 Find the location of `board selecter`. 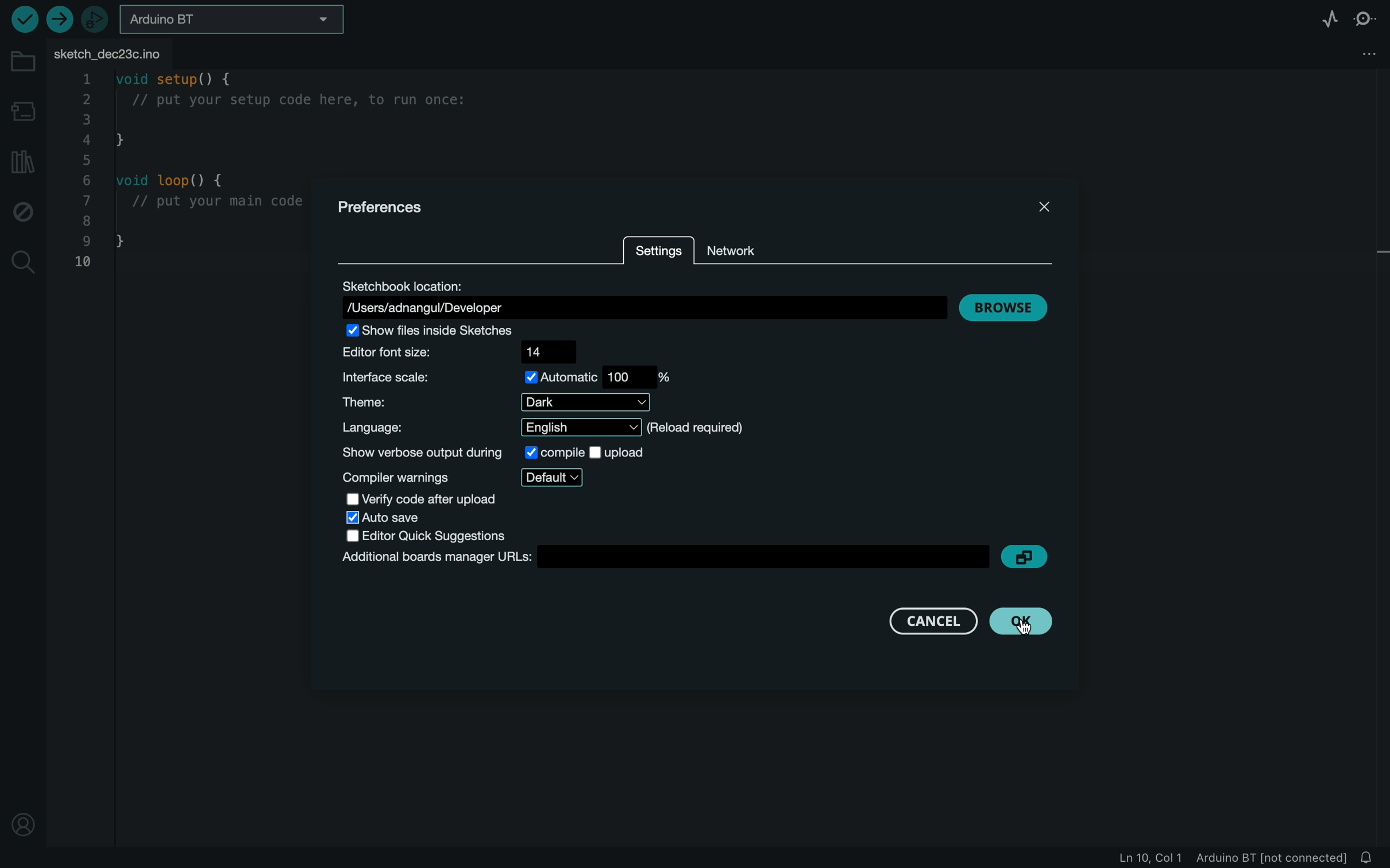

board selecter is located at coordinates (239, 21).